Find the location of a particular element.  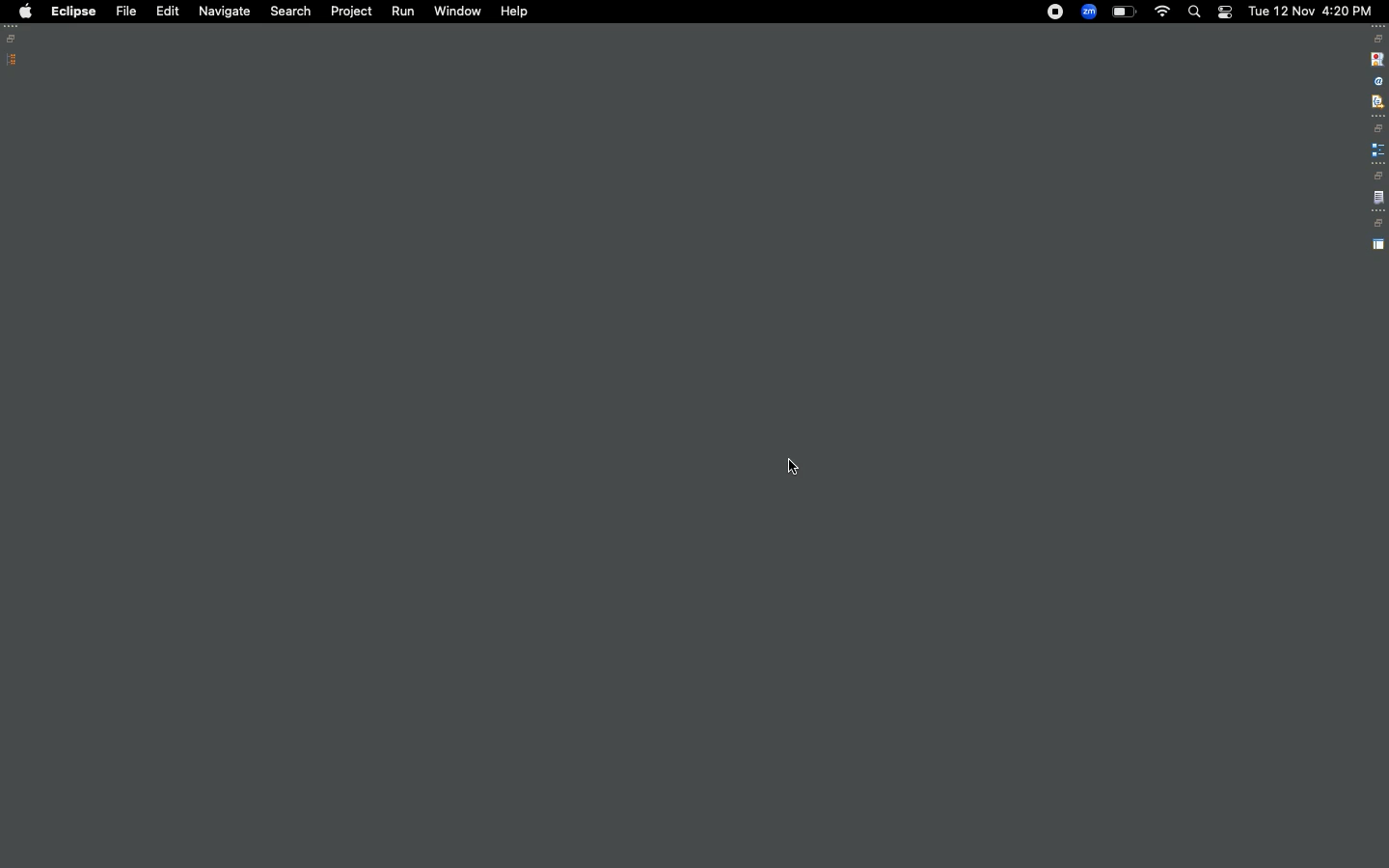

perspective is located at coordinates (1378, 245).